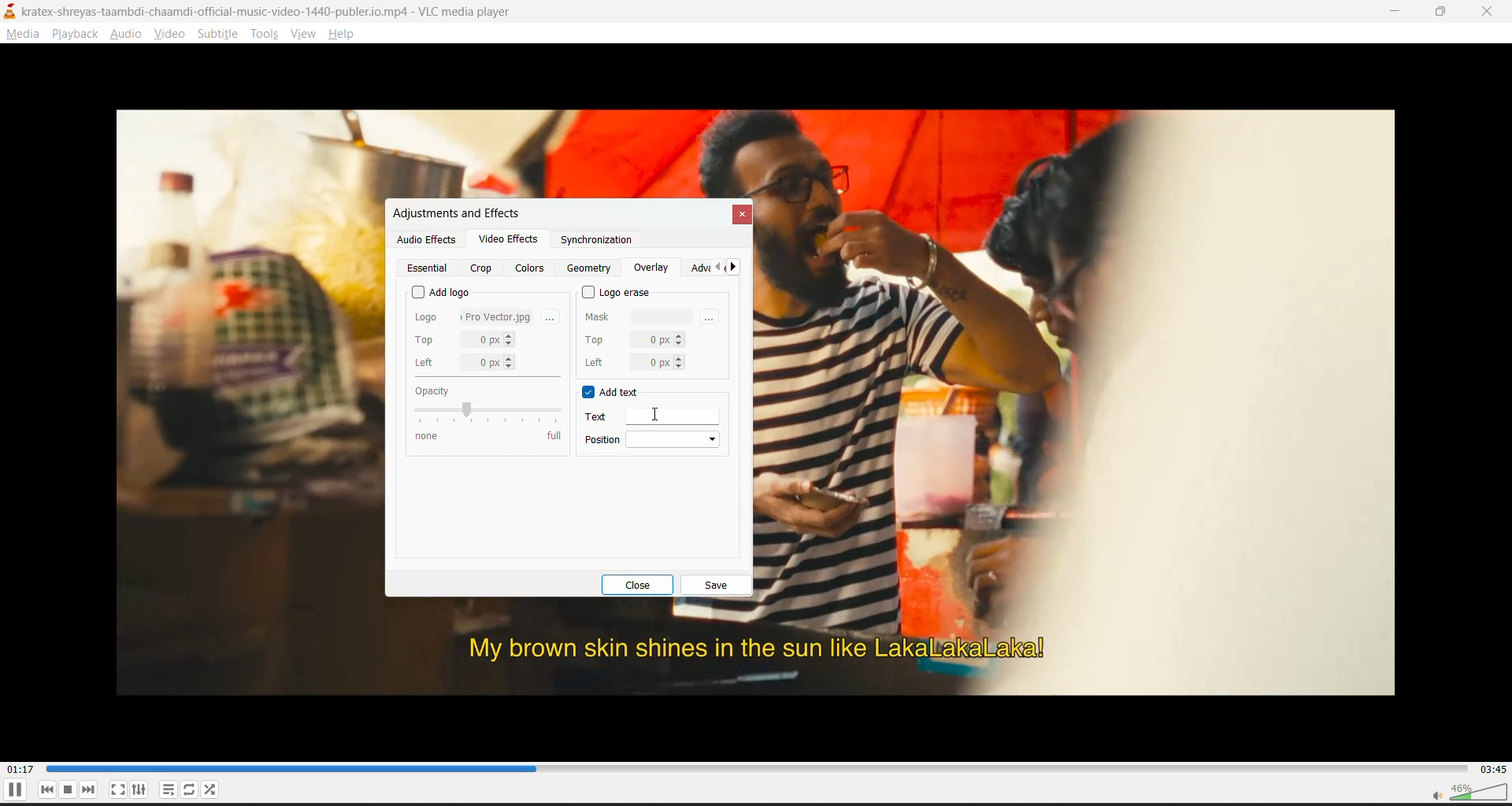  Describe the element at coordinates (736, 269) in the screenshot. I see `next` at that location.